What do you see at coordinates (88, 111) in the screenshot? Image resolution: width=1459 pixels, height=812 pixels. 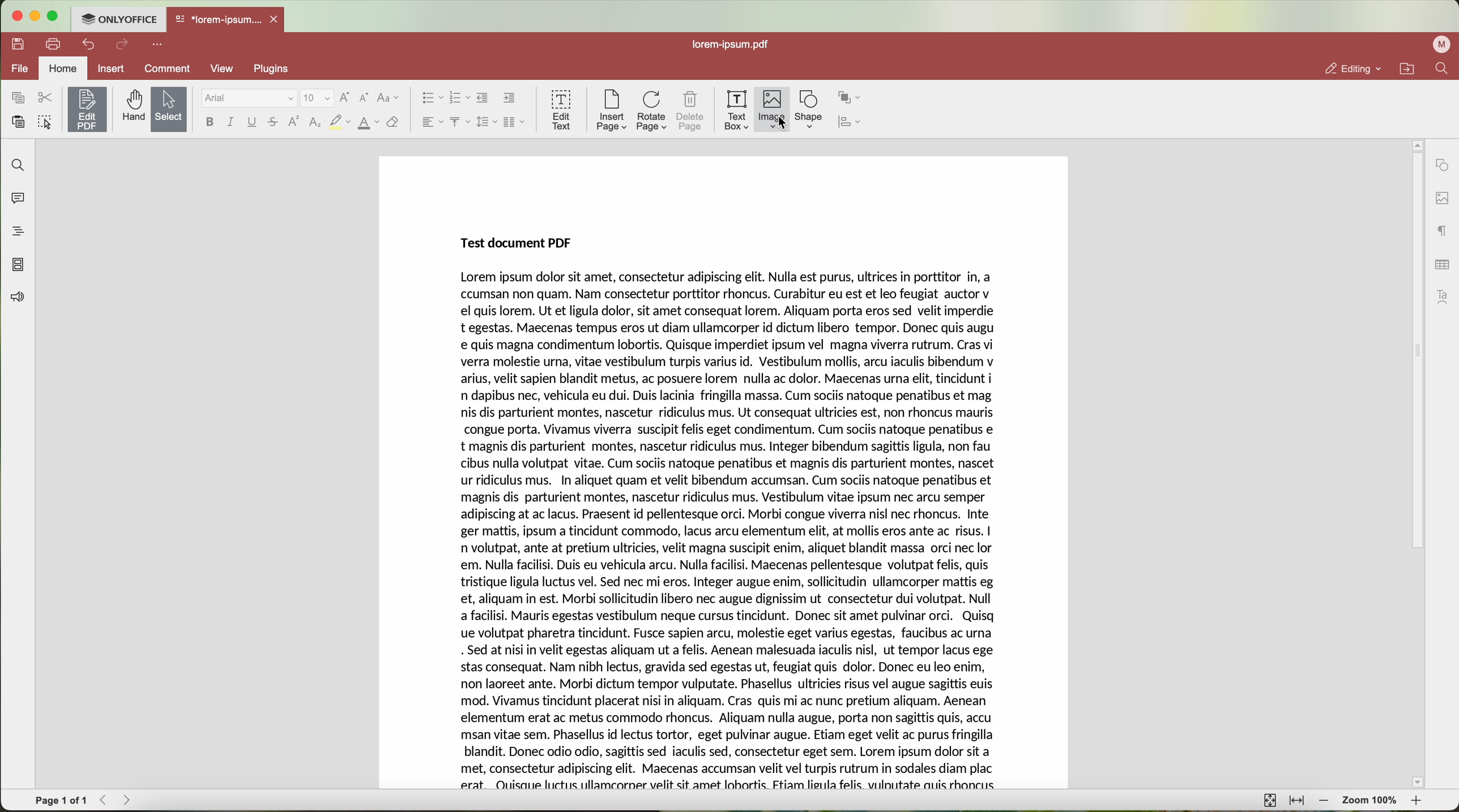 I see `click on edit PDF` at bounding box center [88, 111].